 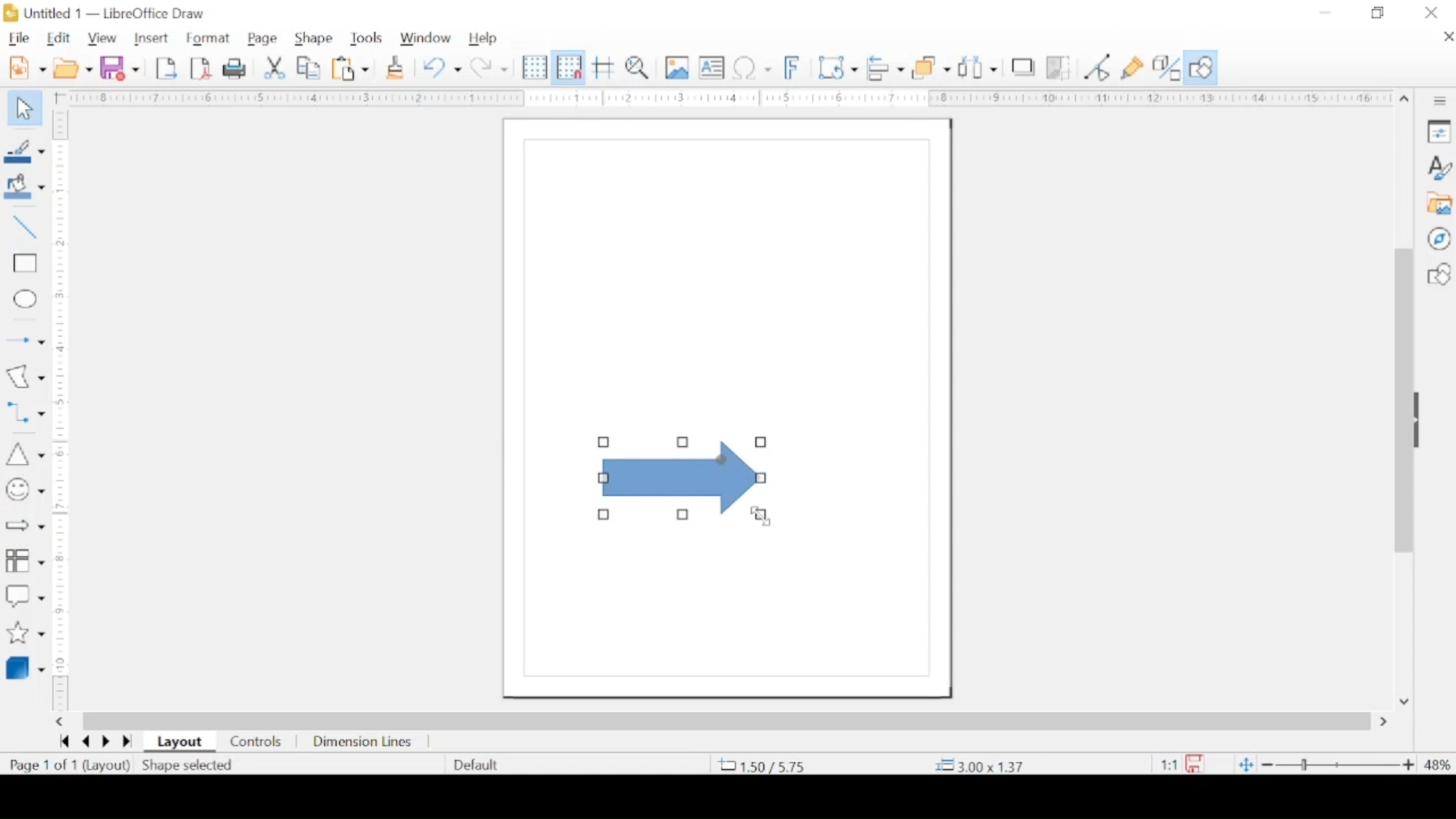 I want to click on insert special characters, so click(x=752, y=67).